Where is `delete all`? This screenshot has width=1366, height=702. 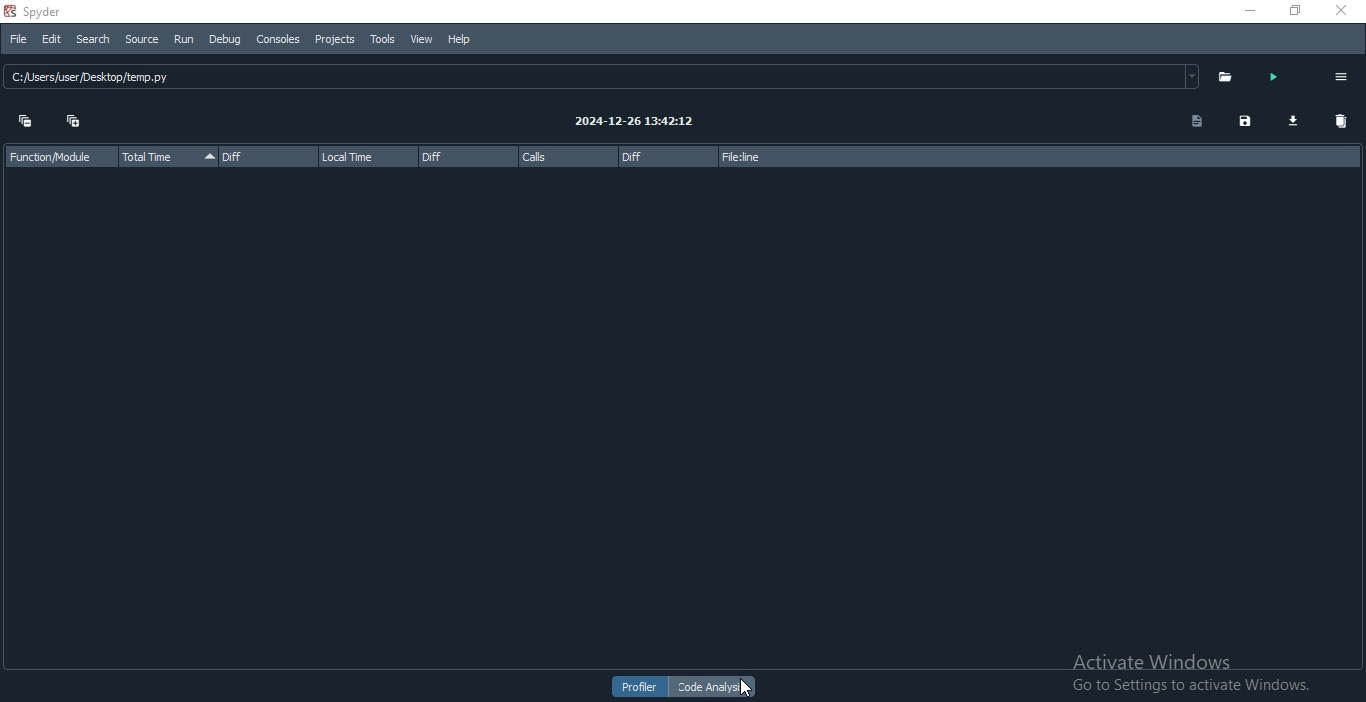
delete all is located at coordinates (1342, 122).